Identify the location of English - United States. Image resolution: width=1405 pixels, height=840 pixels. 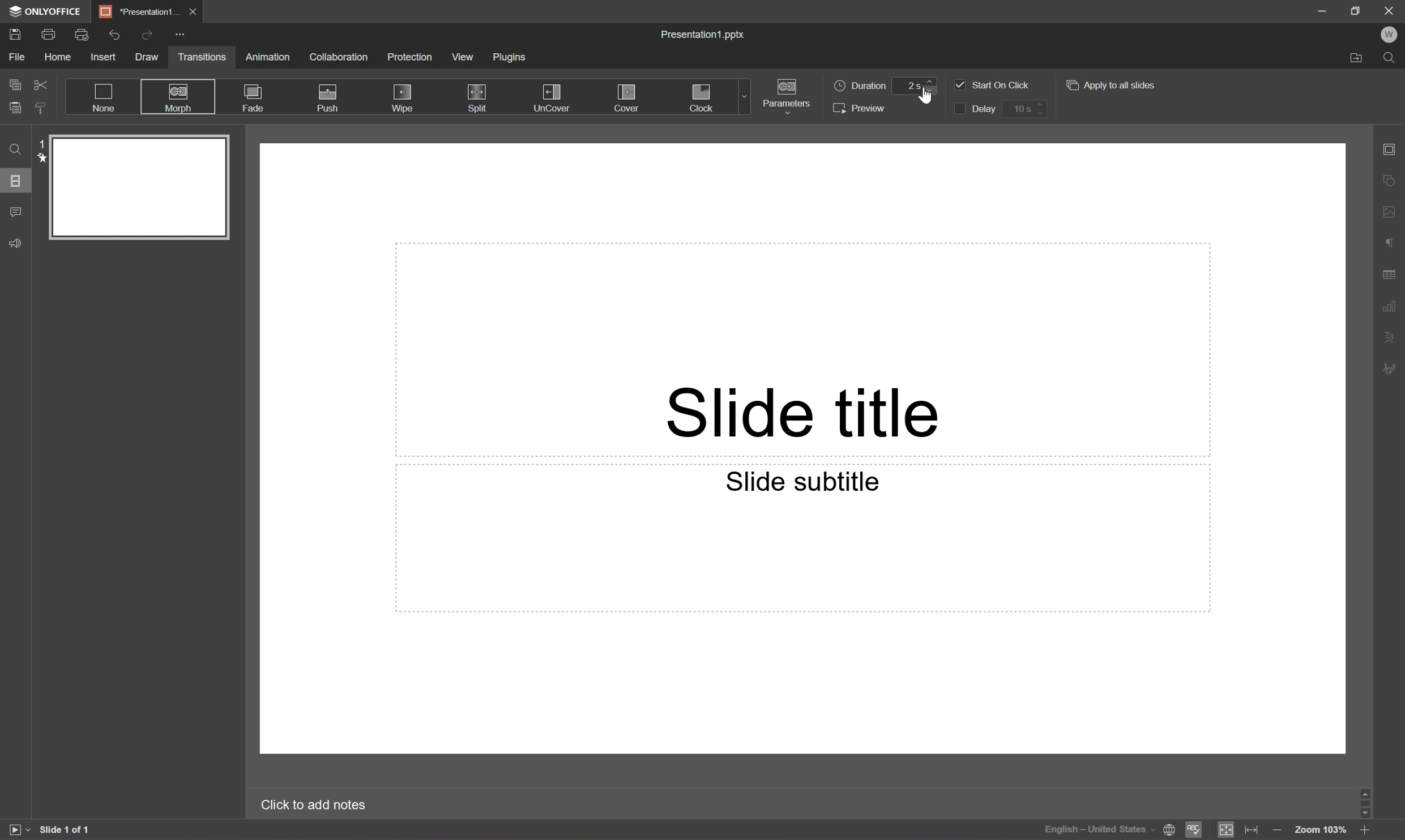
(1100, 833).